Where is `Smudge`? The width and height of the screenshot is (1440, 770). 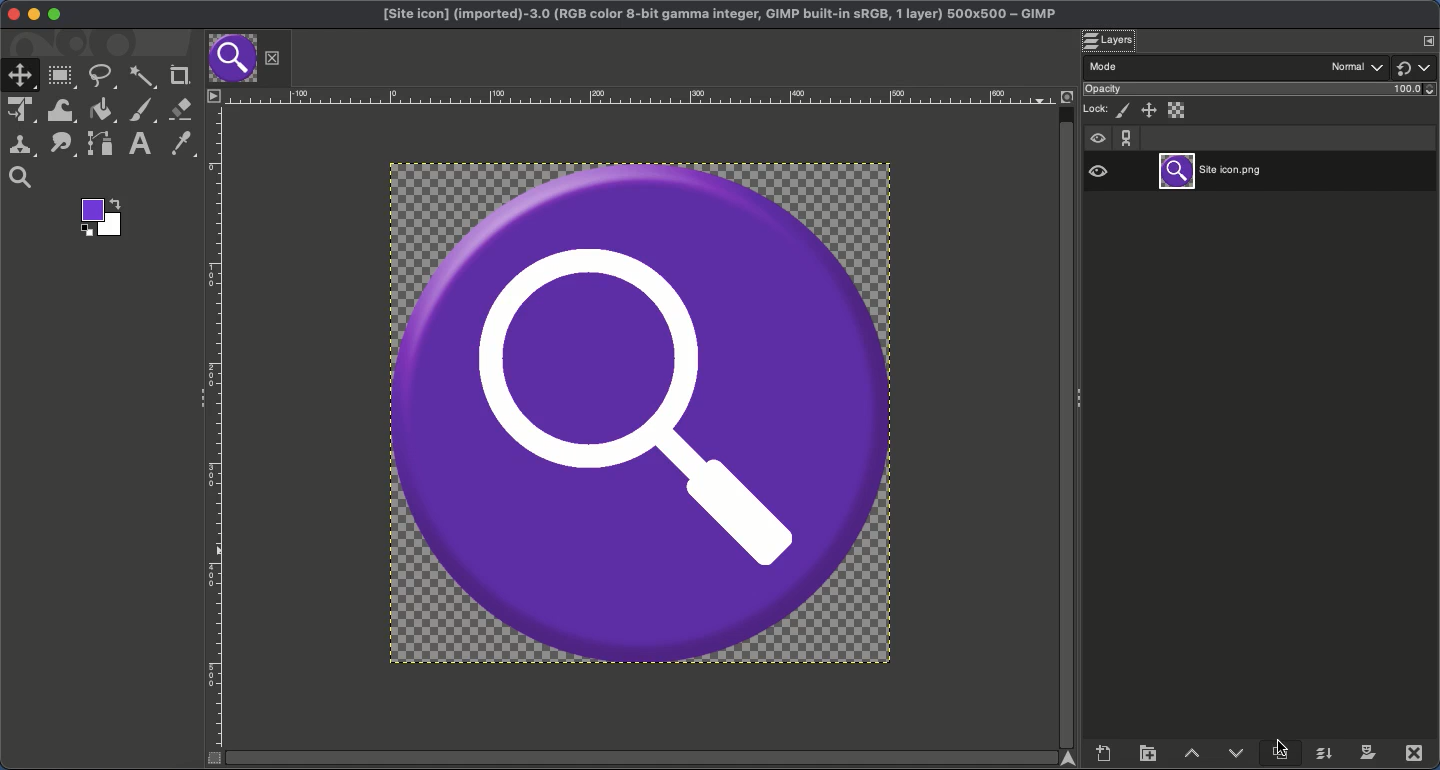 Smudge is located at coordinates (61, 145).